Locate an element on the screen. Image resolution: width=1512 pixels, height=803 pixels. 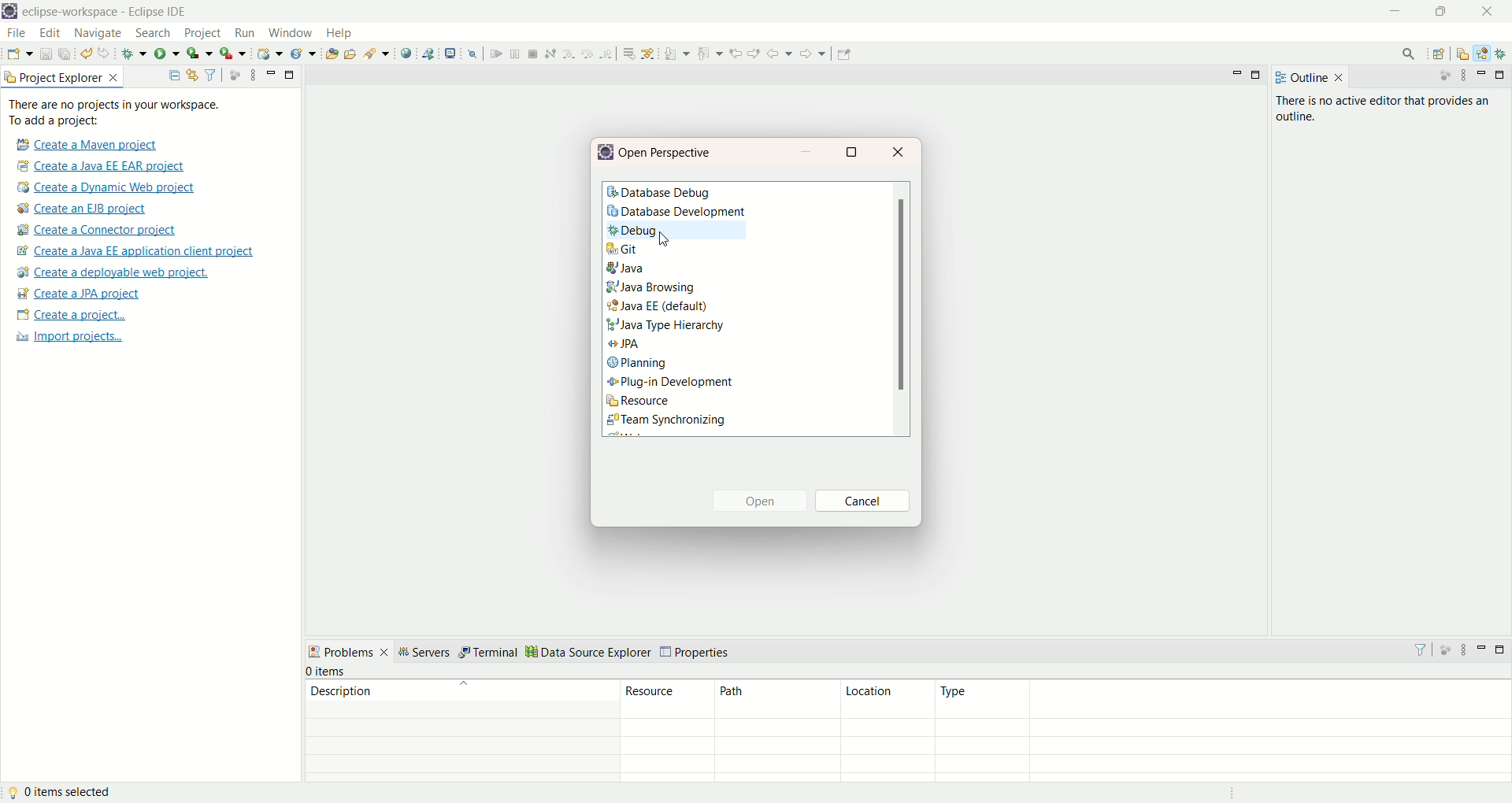
maximize is located at coordinates (1442, 13).